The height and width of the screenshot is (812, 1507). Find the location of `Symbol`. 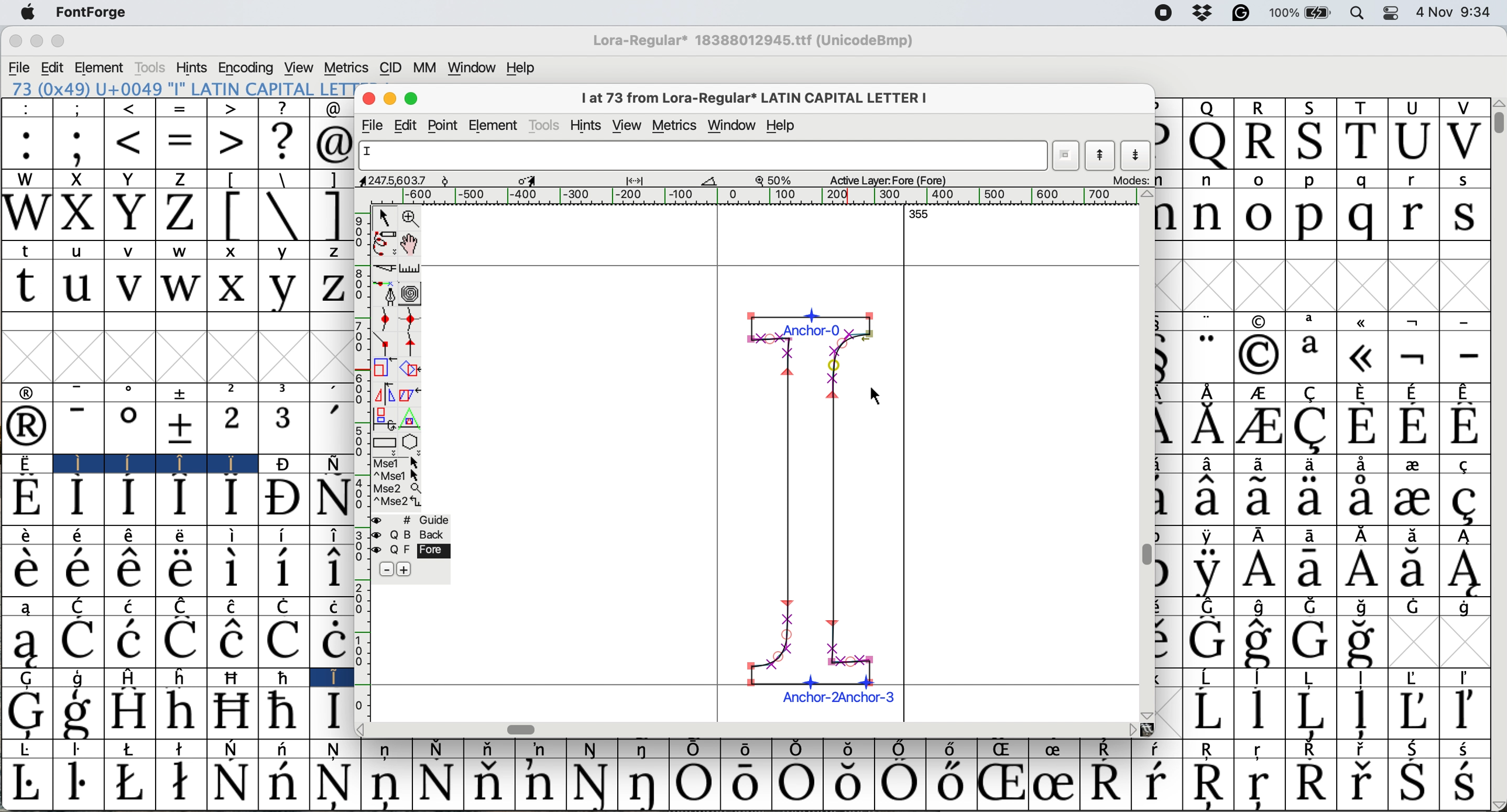

Symbol is located at coordinates (26, 463).